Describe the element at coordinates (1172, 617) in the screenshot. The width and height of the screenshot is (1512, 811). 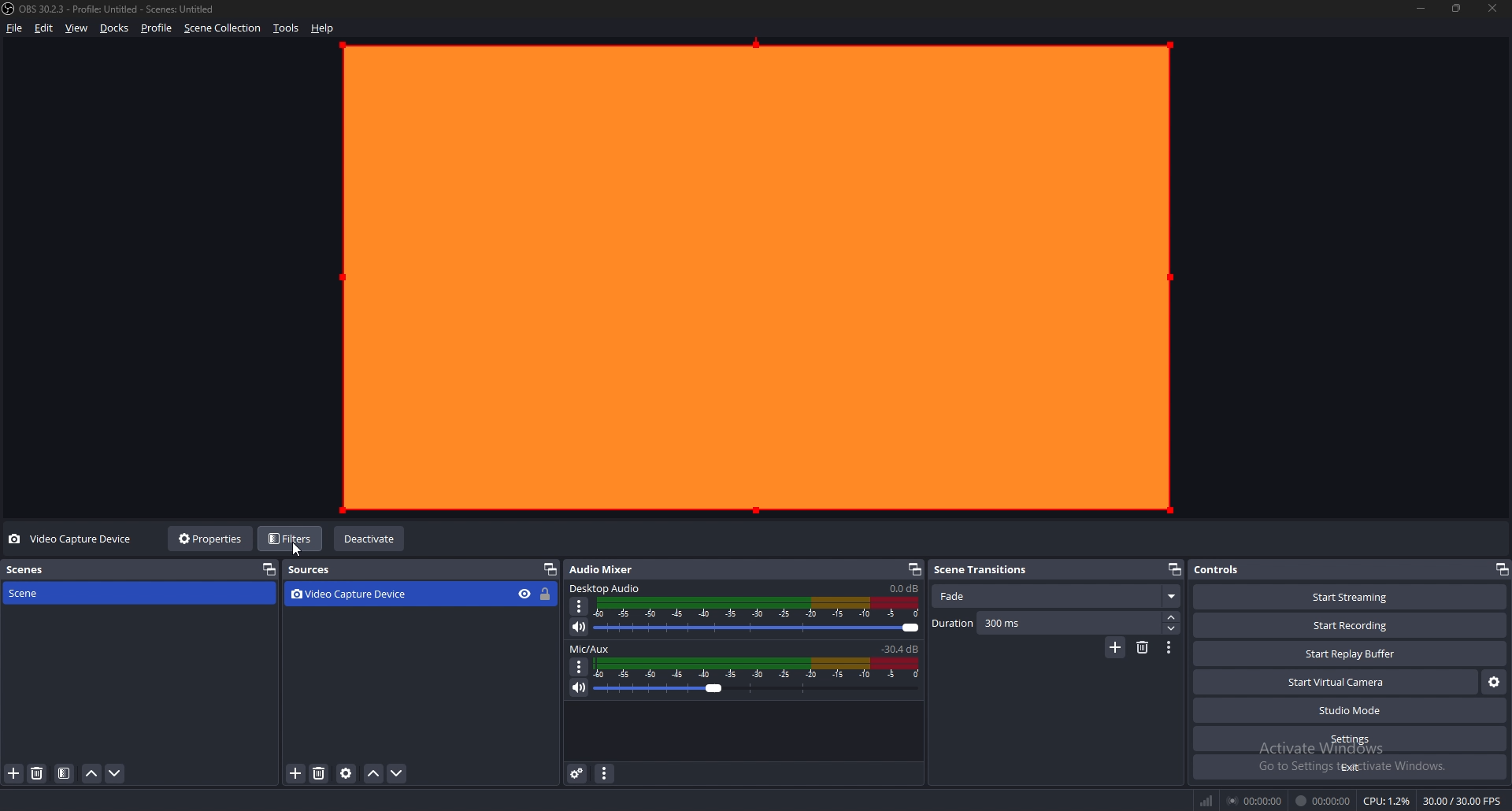
I see `increase duration` at that location.